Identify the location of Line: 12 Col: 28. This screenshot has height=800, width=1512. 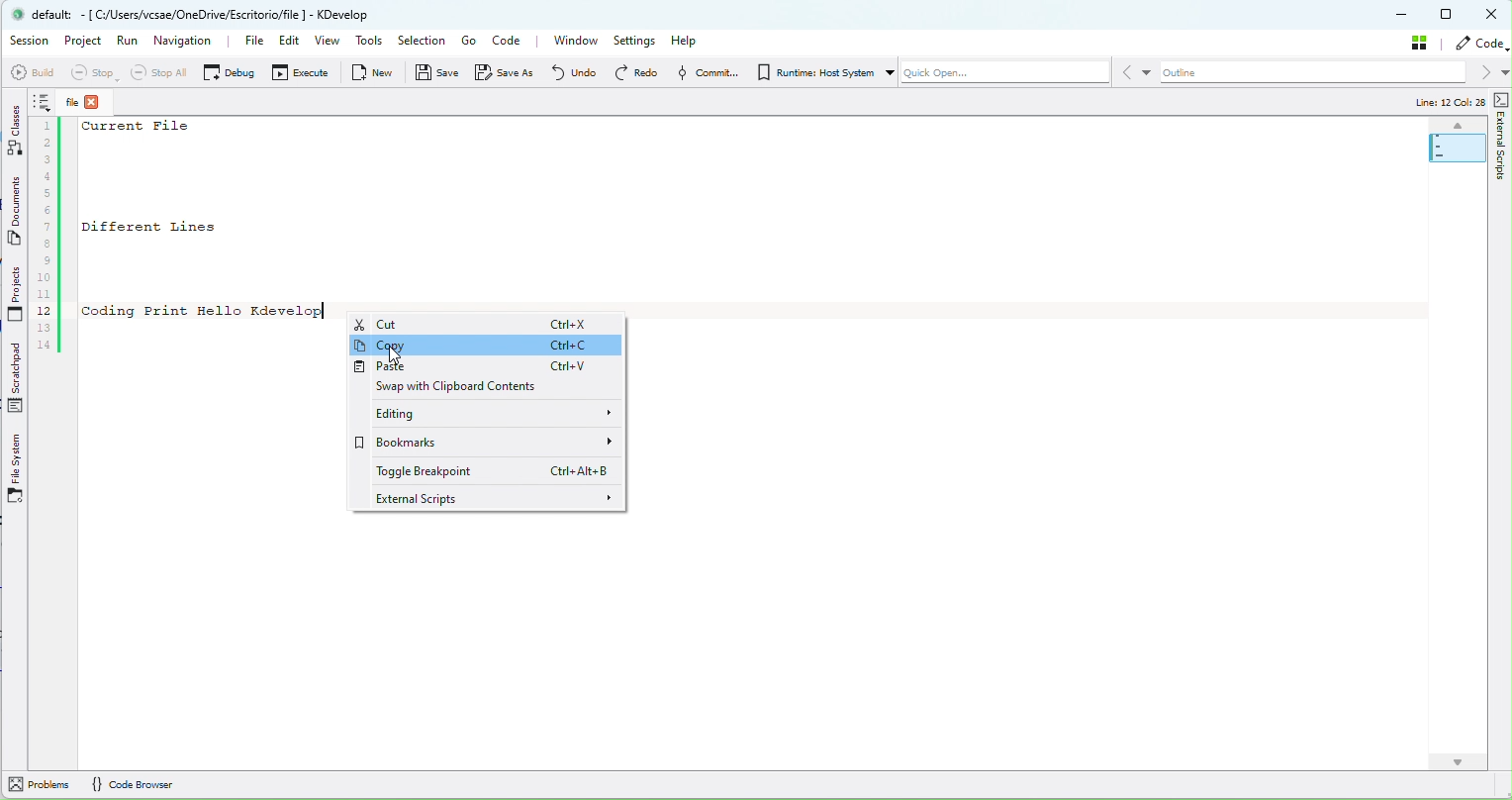
(1441, 103).